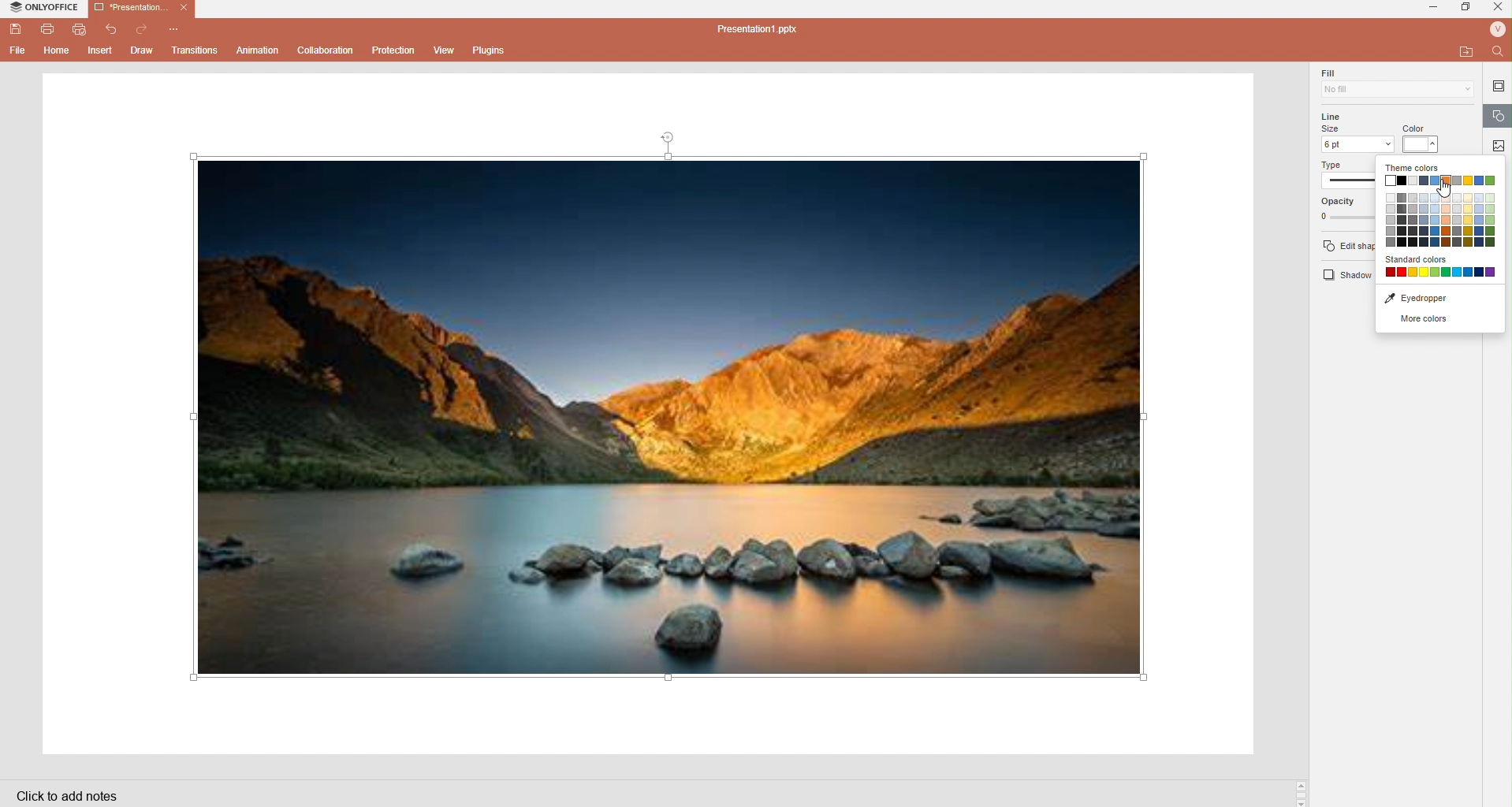  What do you see at coordinates (68, 798) in the screenshot?
I see `Click to add notes` at bounding box center [68, 798].